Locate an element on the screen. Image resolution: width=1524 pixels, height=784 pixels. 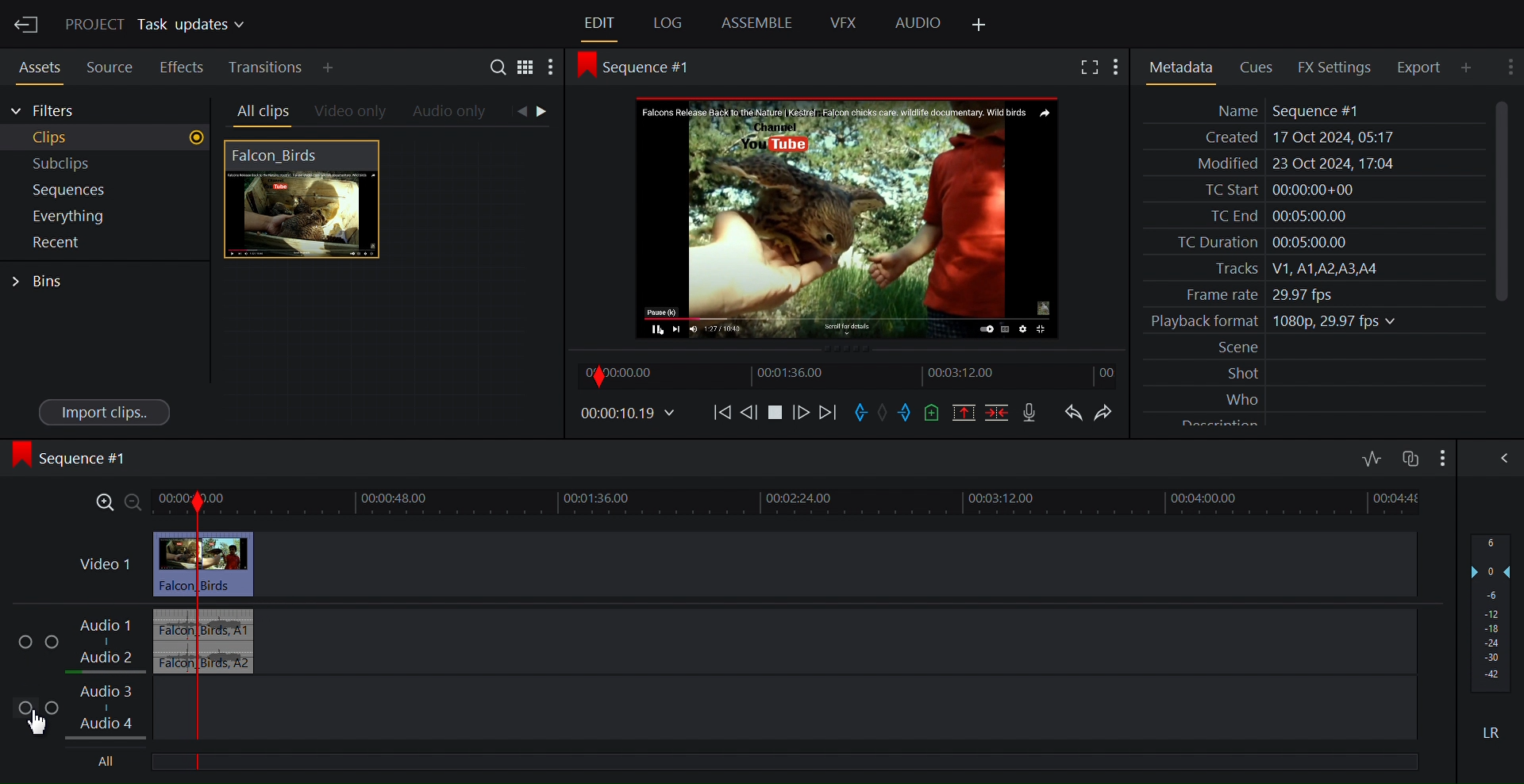
Timeline Indicator is located at coordinates (188, 633).